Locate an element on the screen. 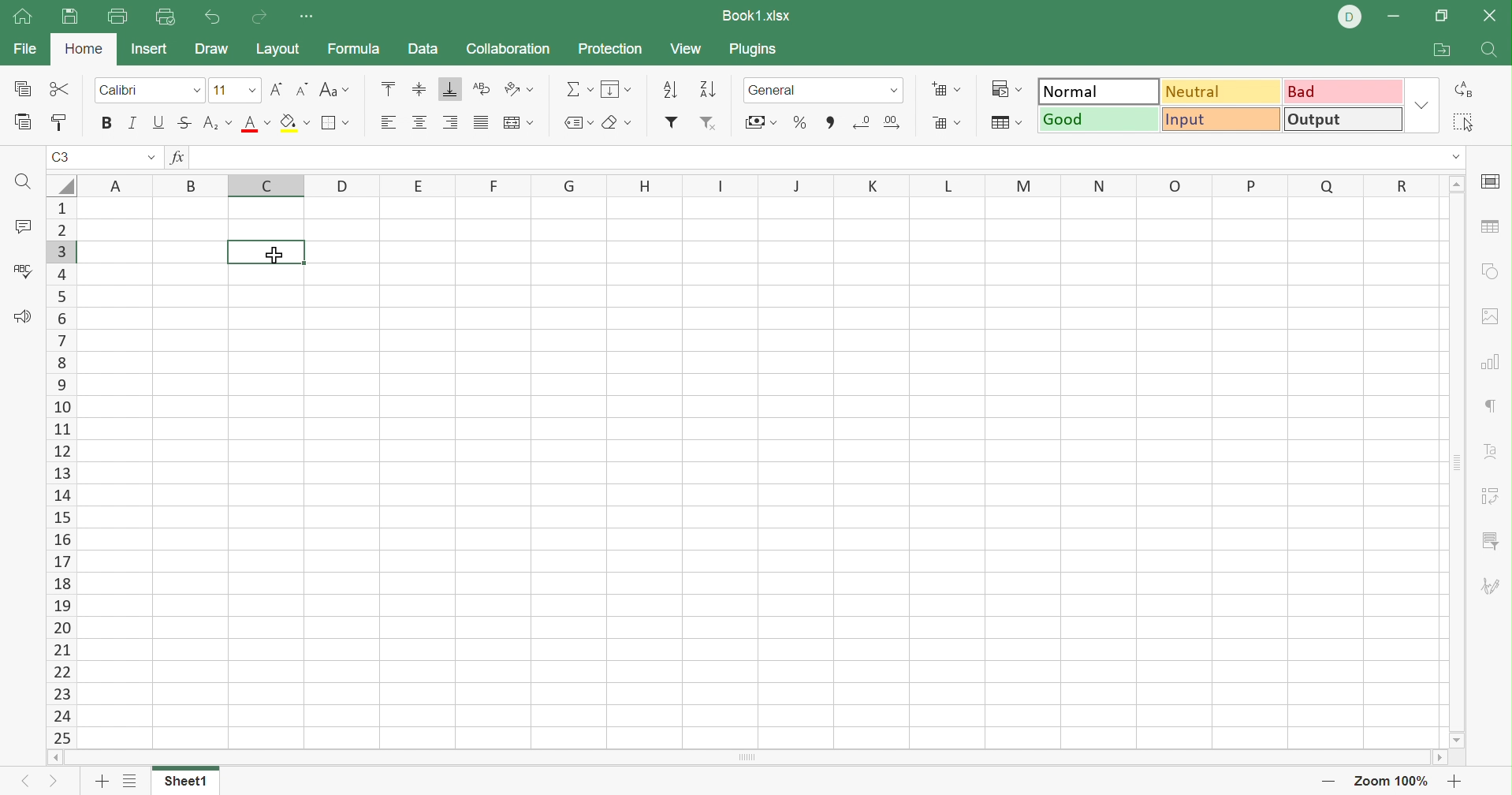 The image size is (1512, 795). Find is located at coordinates (1488, 50).